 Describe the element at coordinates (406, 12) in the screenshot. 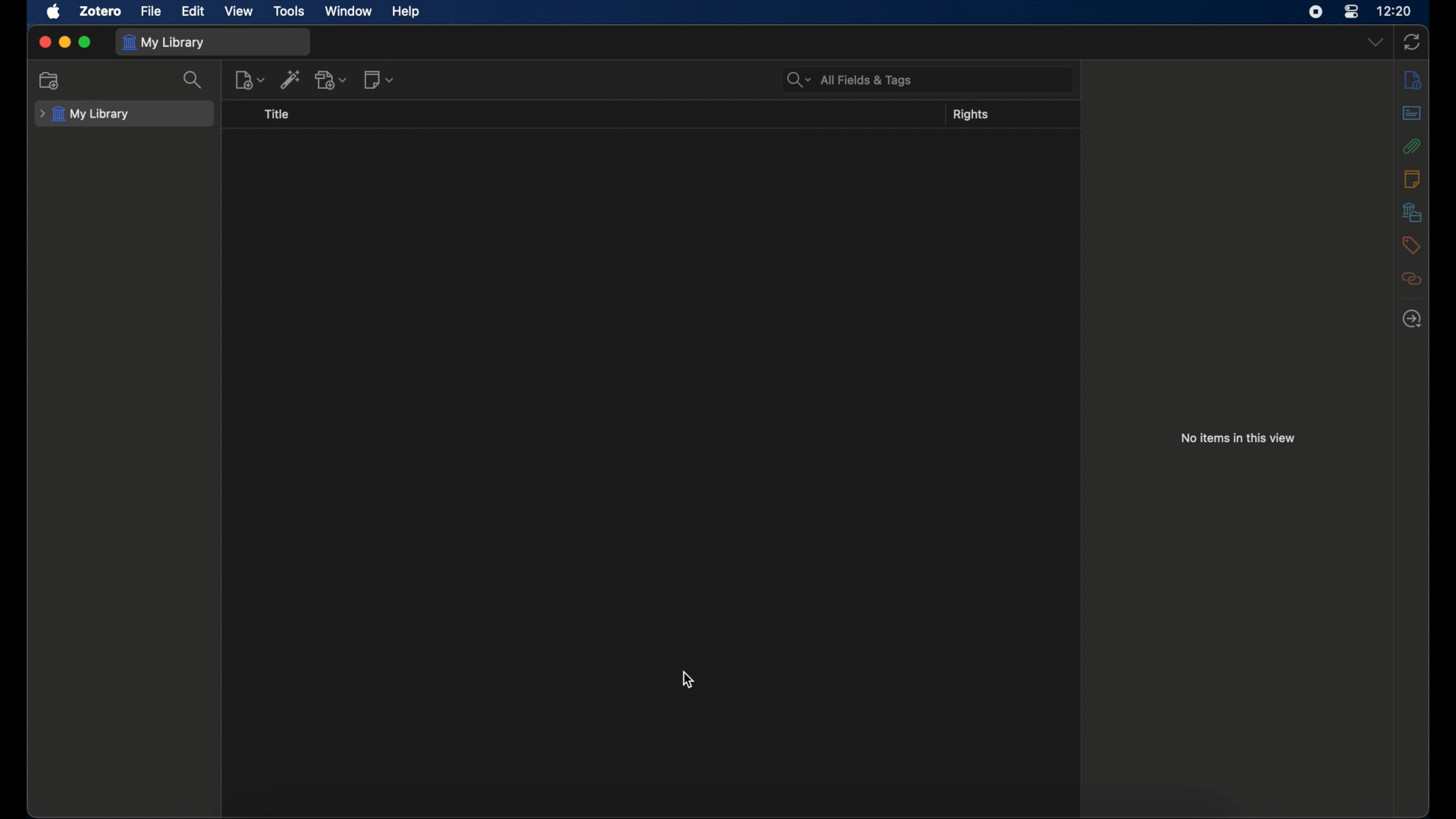

I see `help` at that location.